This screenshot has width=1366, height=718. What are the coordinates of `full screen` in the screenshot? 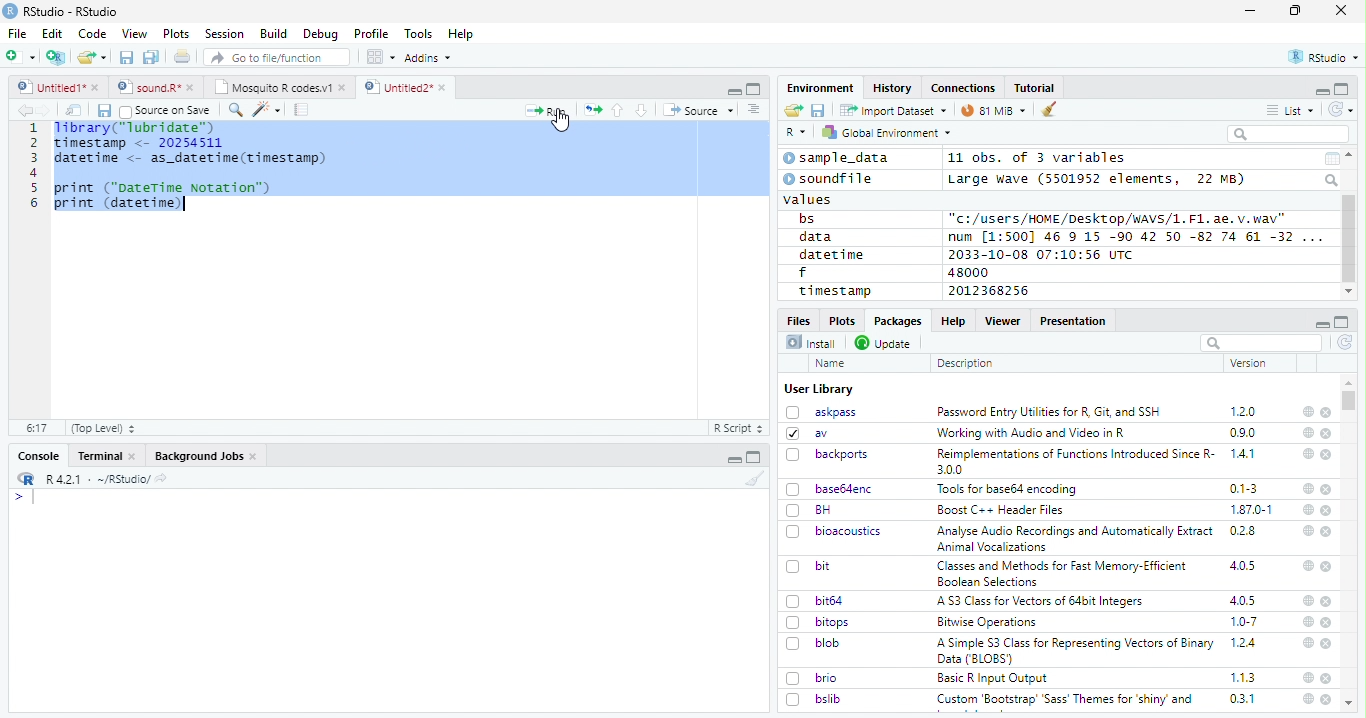 It's located at (1342, 322).